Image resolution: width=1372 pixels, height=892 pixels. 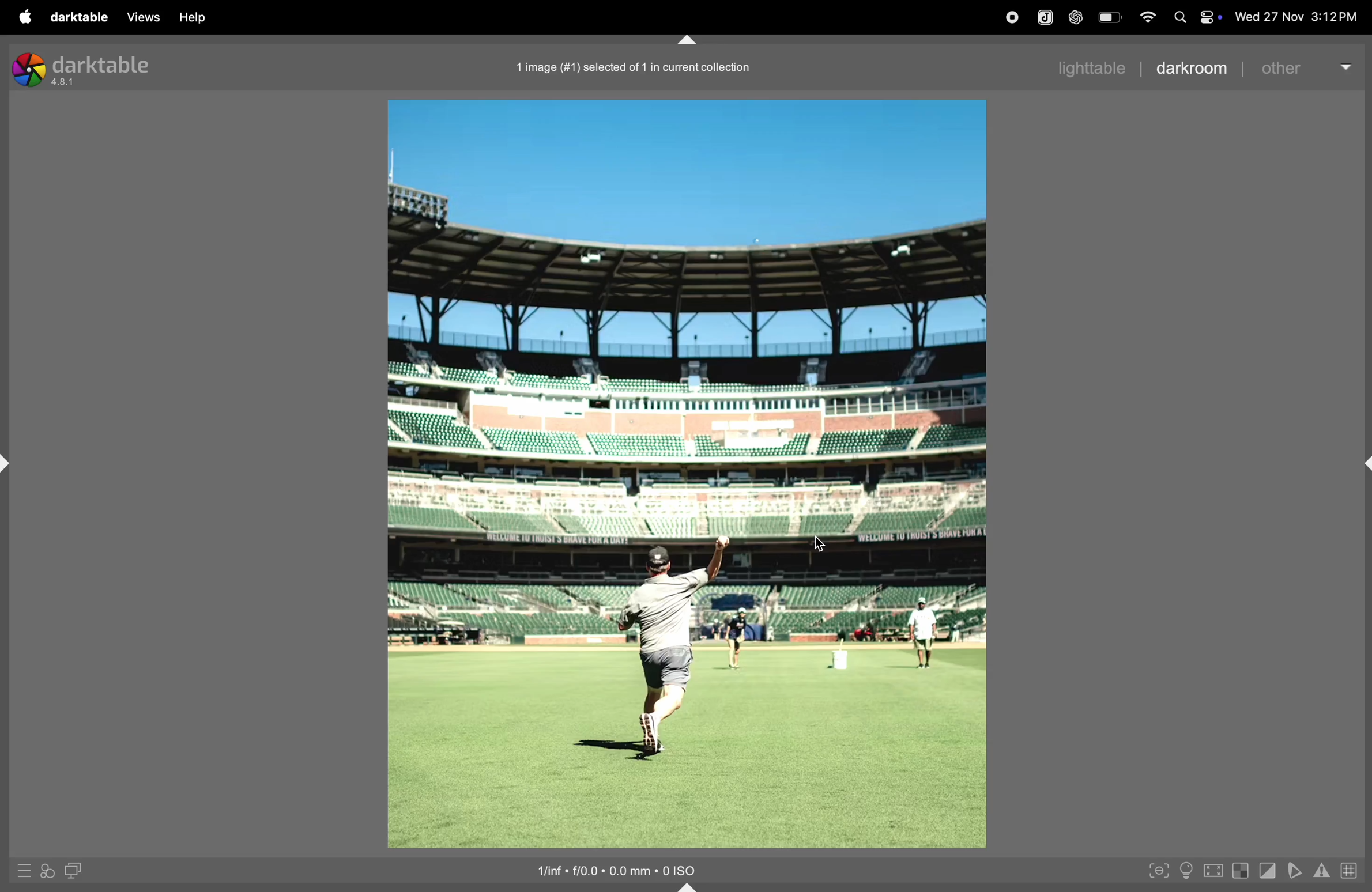 I want to click on darktaable, so click(x=84, y=17).